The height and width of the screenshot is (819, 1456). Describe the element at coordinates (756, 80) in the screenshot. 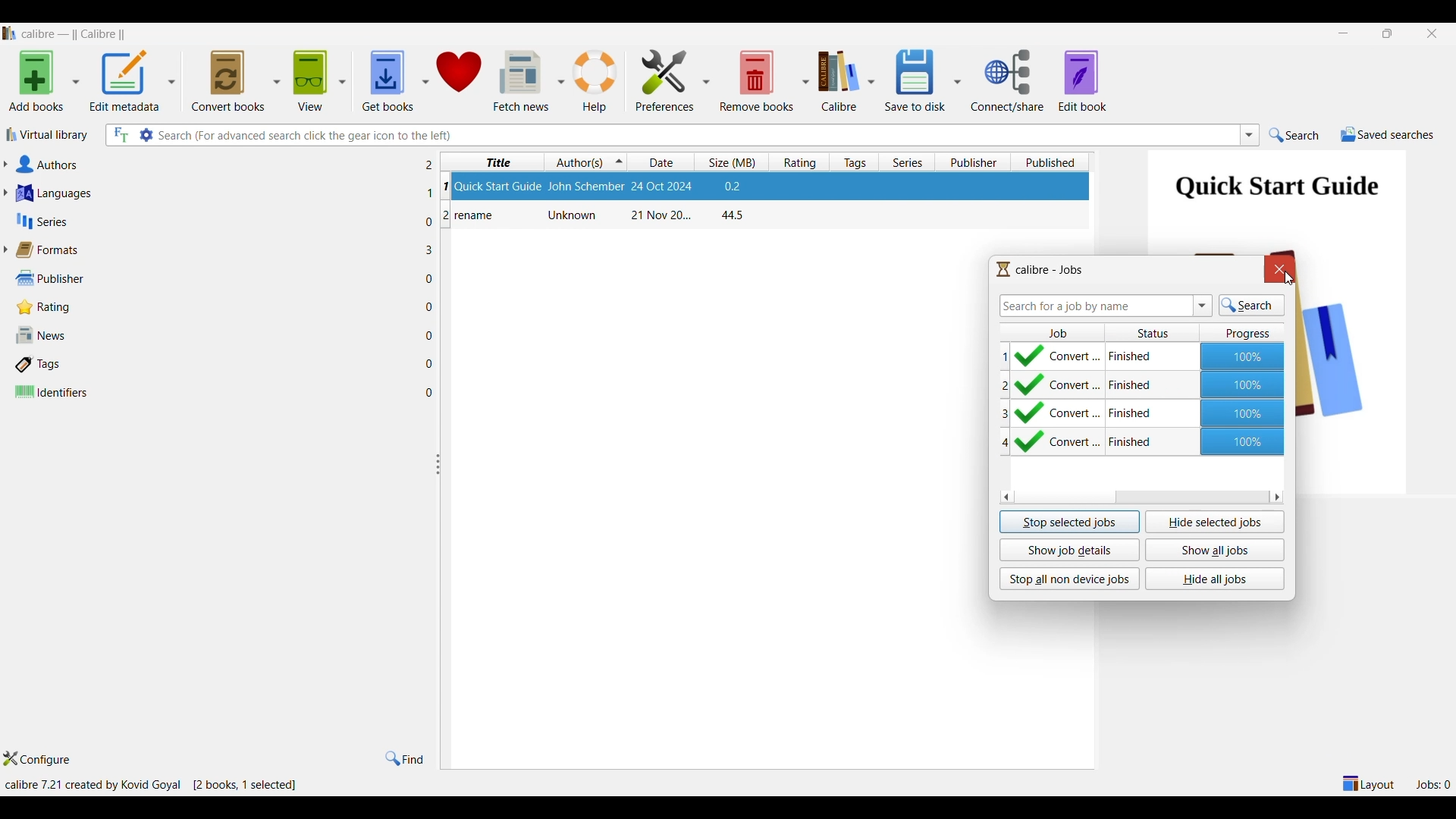

I see `Remove books` at that location.